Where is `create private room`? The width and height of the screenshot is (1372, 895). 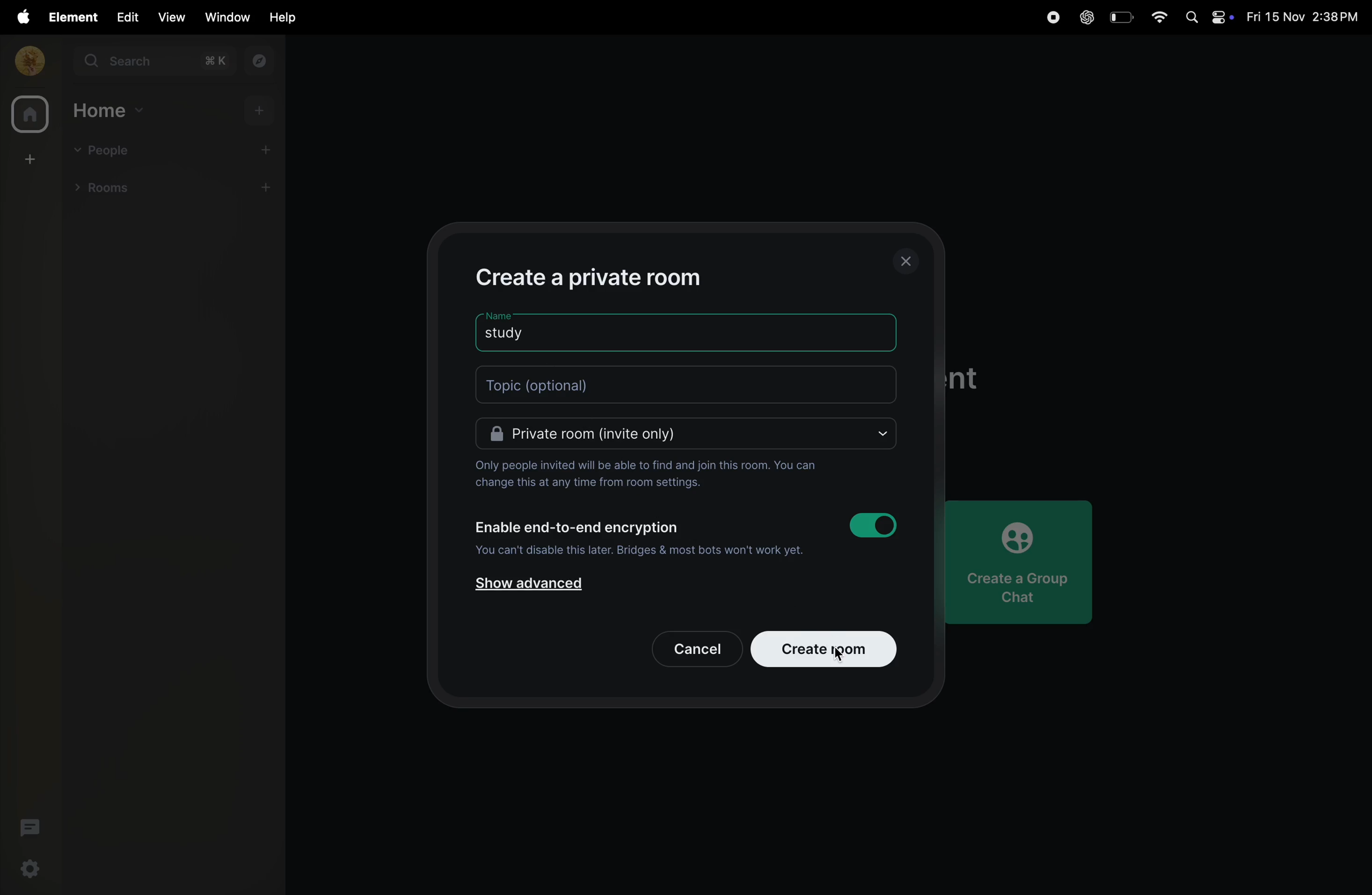
create private room is located at coordinates (594, 275).